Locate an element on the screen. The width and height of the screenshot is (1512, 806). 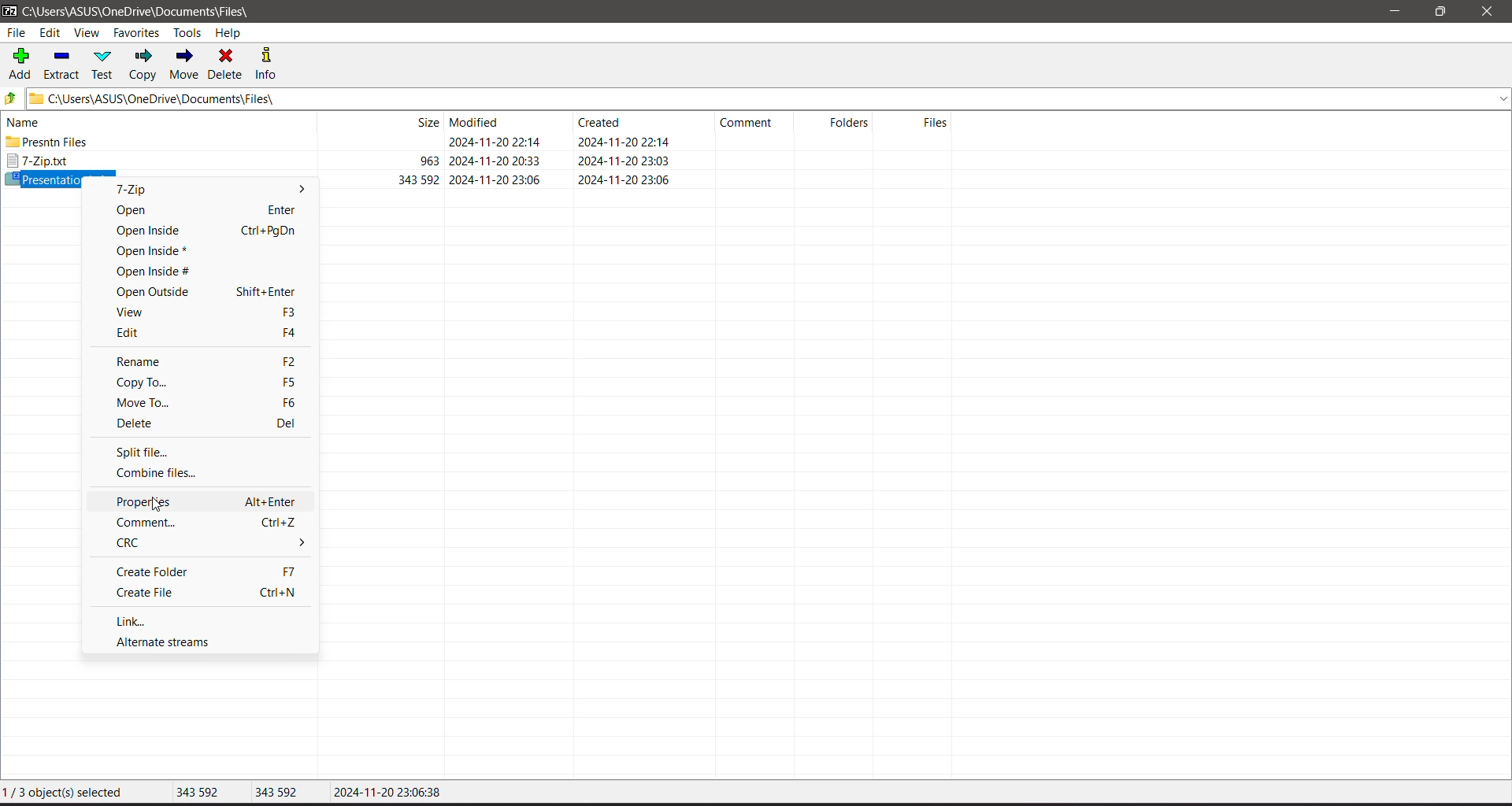
Favorites is located at coordinates (137, 33).